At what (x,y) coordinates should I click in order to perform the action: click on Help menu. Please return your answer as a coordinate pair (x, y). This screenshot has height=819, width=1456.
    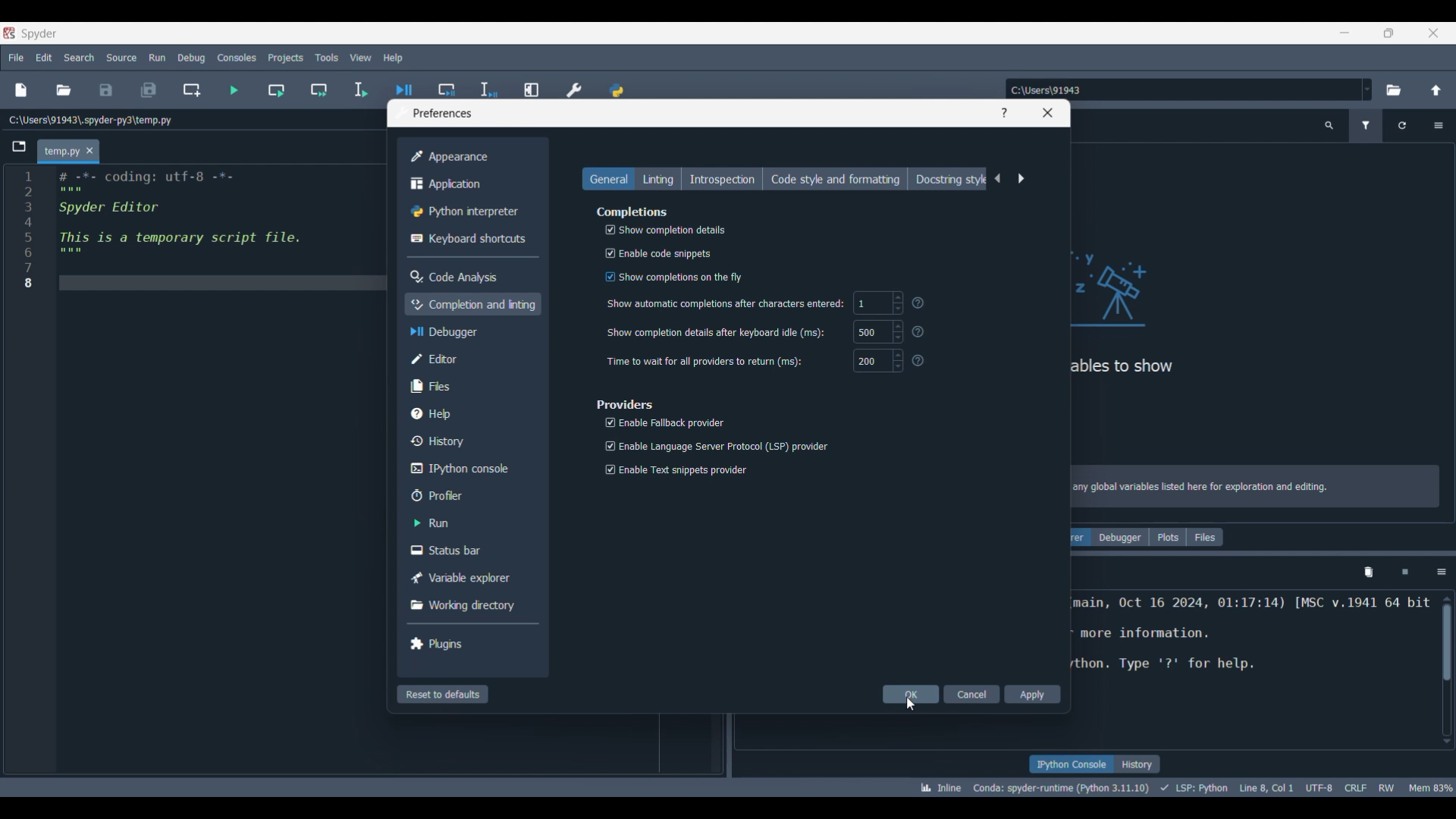
    Looking at the image, I should click on (393, 58).